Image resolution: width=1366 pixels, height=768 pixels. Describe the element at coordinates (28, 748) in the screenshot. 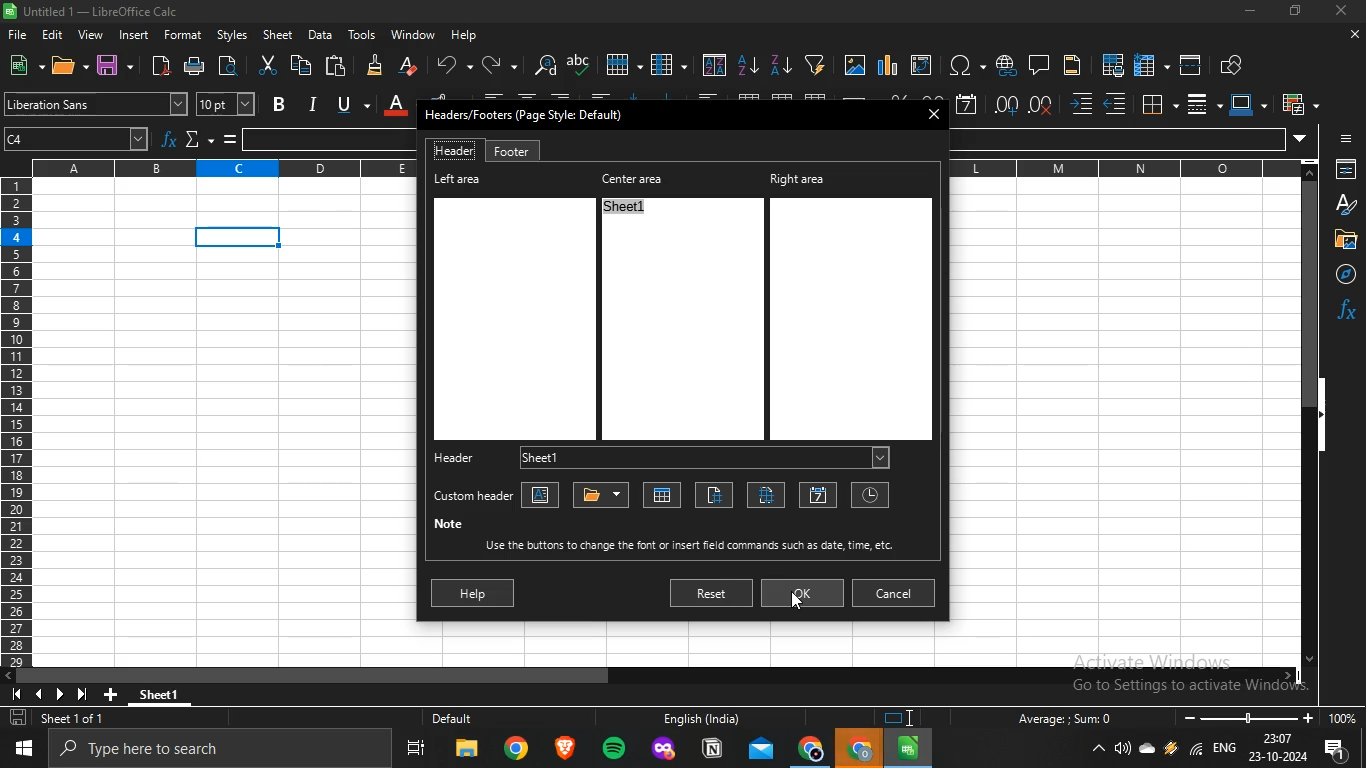

I see `start` at that location.